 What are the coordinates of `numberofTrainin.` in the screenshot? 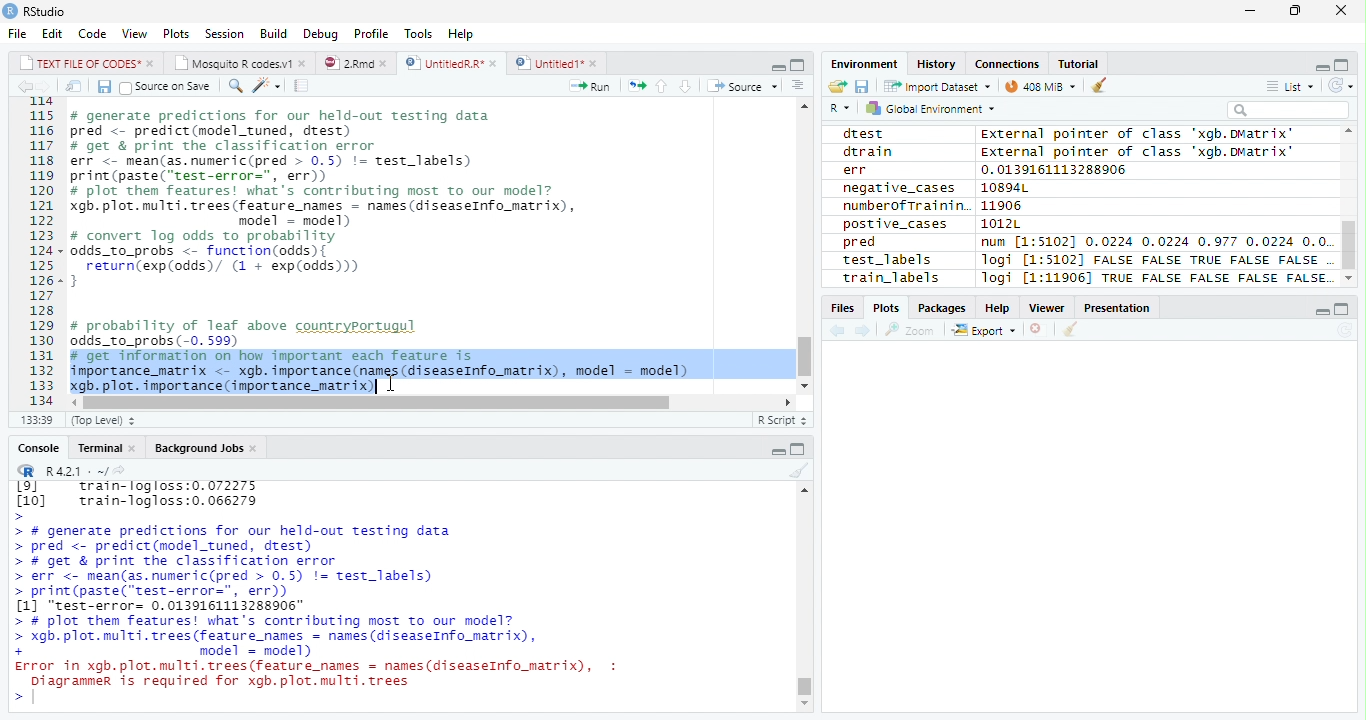 It's located at (904, 205).